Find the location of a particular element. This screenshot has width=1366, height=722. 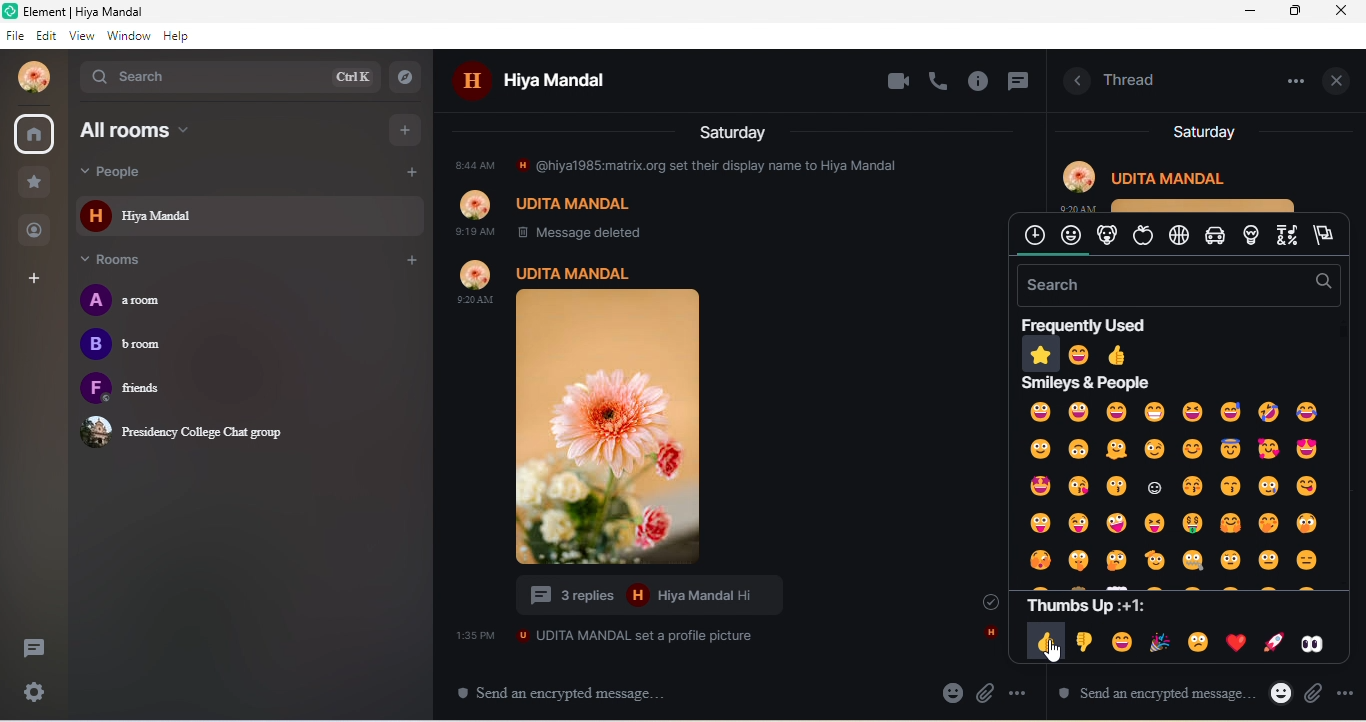

more option is located at coordinates (1305, 691).